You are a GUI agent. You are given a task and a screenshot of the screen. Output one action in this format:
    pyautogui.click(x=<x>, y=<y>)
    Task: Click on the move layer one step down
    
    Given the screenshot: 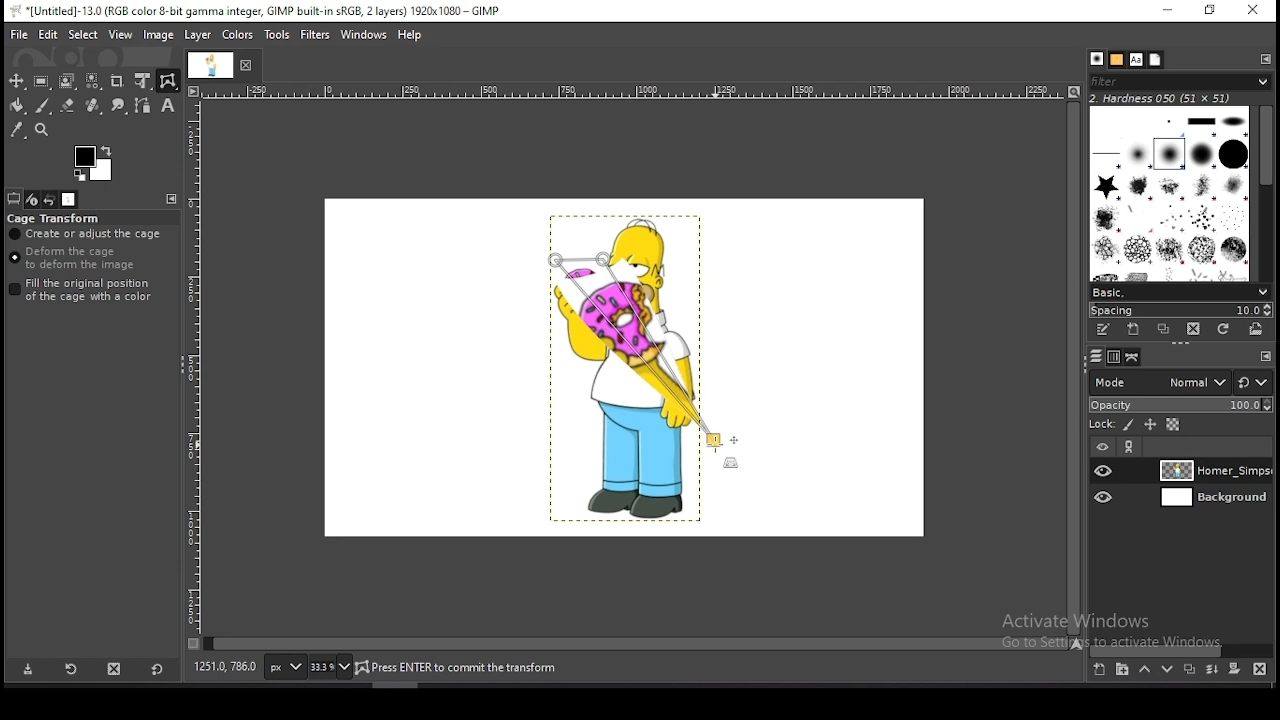 What is the action you would take?
    pyautogui.click(x=1168, y=671)
    